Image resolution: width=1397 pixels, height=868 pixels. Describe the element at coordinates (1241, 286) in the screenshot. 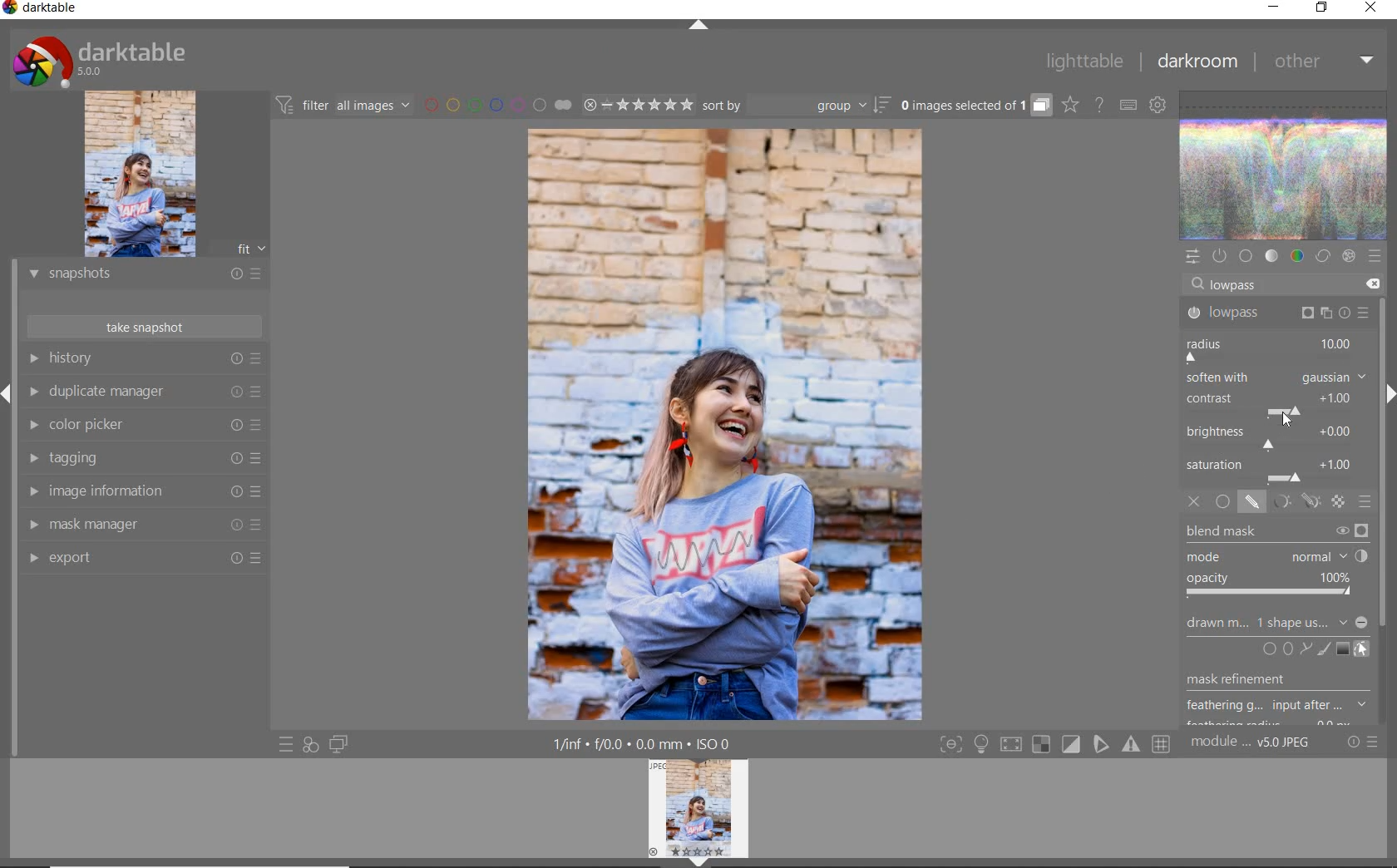

I see `lowpass` at that location.